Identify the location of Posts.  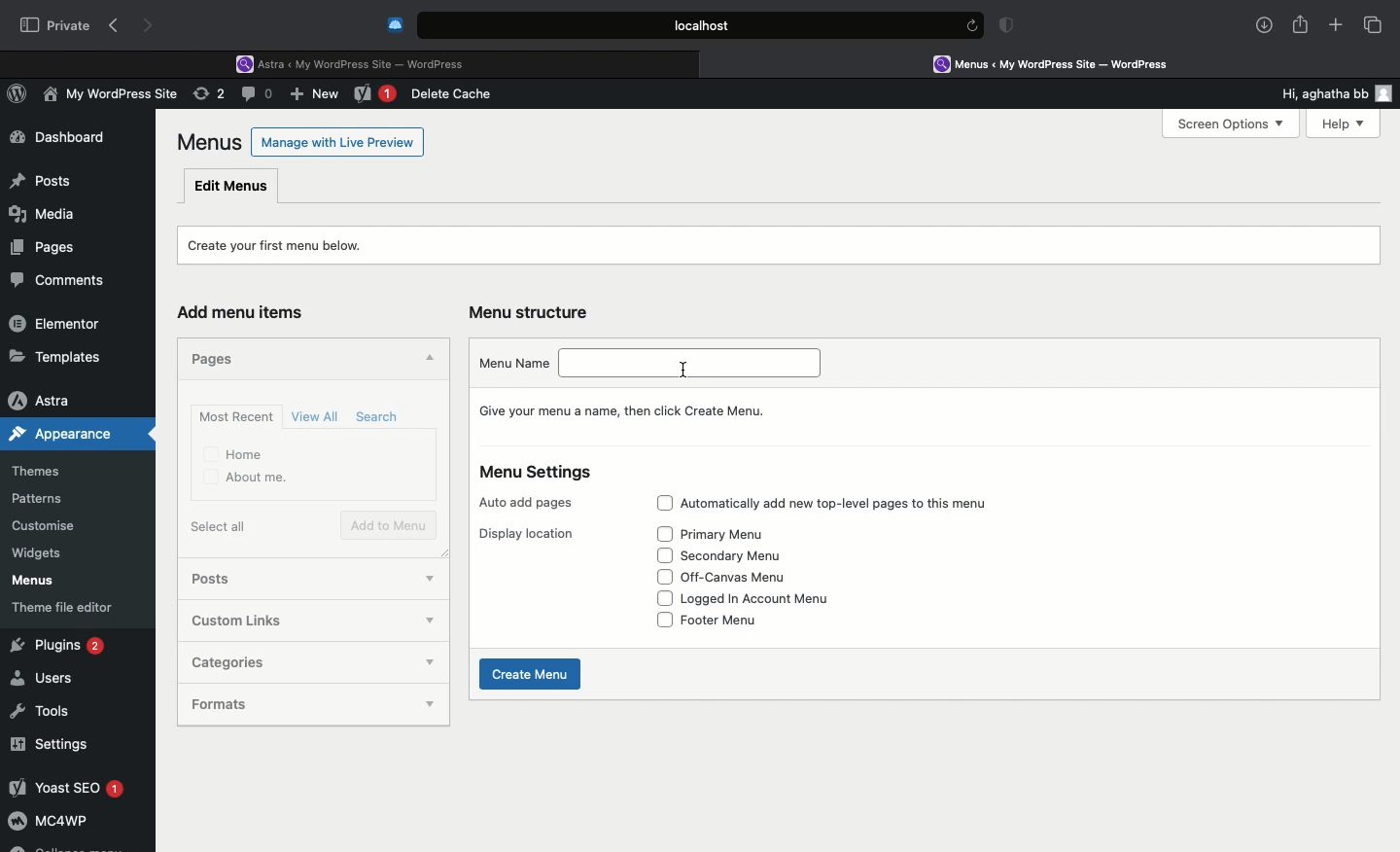
(229, 581).